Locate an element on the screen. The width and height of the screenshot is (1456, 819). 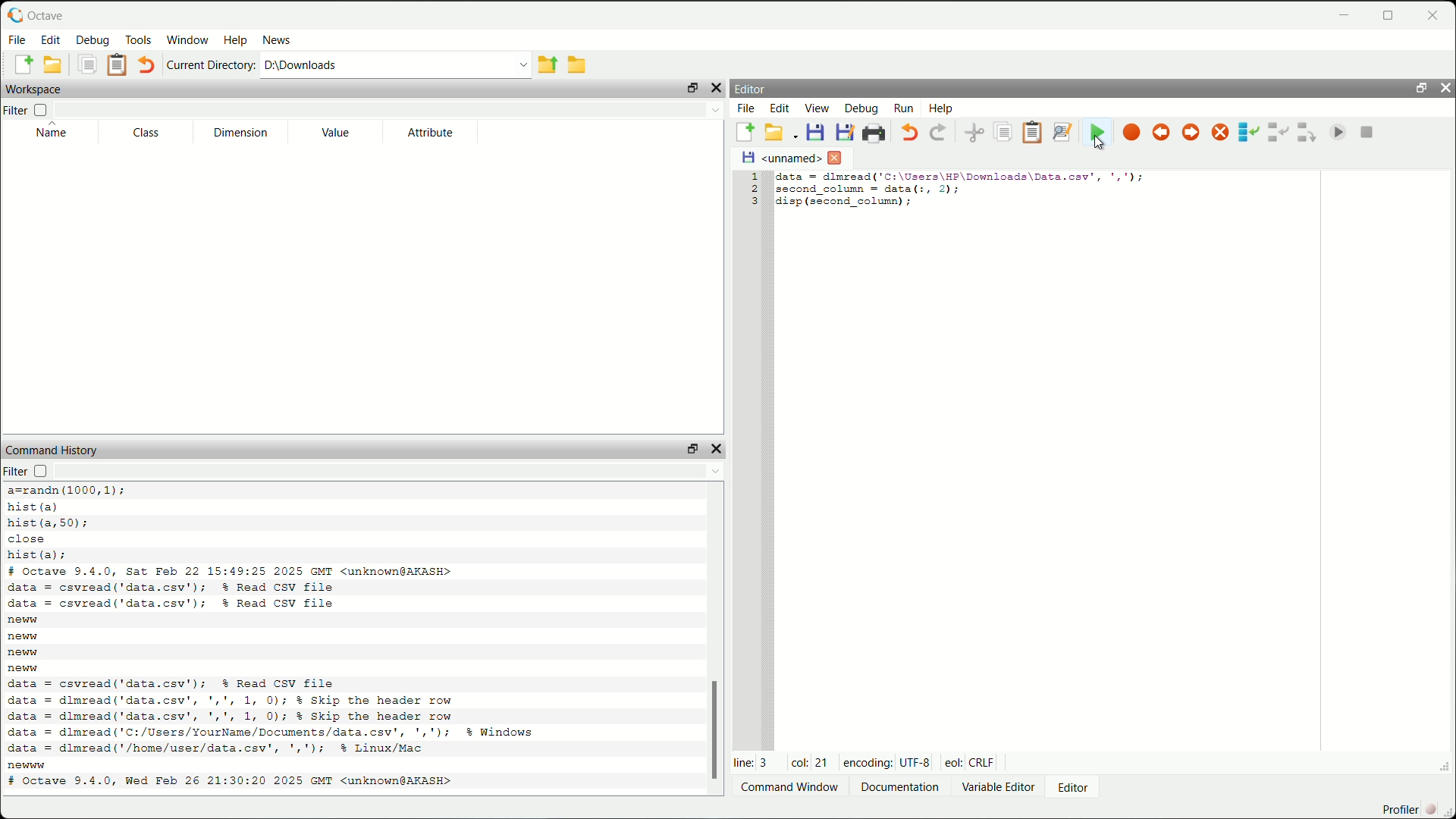
previous breakpoint is located at coordinates (1159, 134).